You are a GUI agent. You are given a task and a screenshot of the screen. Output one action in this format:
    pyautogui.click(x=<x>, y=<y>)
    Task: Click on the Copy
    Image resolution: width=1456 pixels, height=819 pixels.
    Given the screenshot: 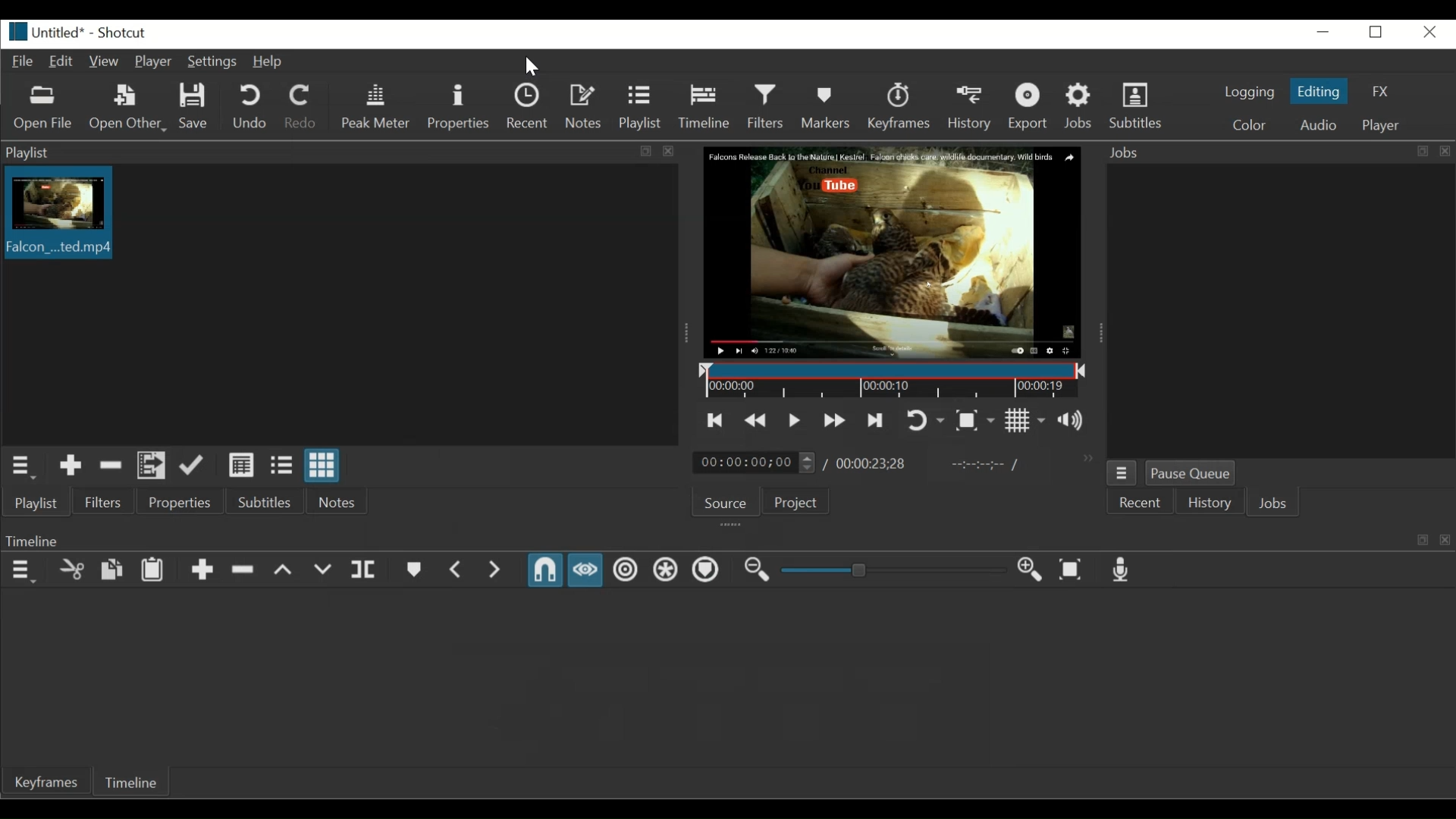 What is the action you would take?
    pyautogui.click(x=115, y=569)
    